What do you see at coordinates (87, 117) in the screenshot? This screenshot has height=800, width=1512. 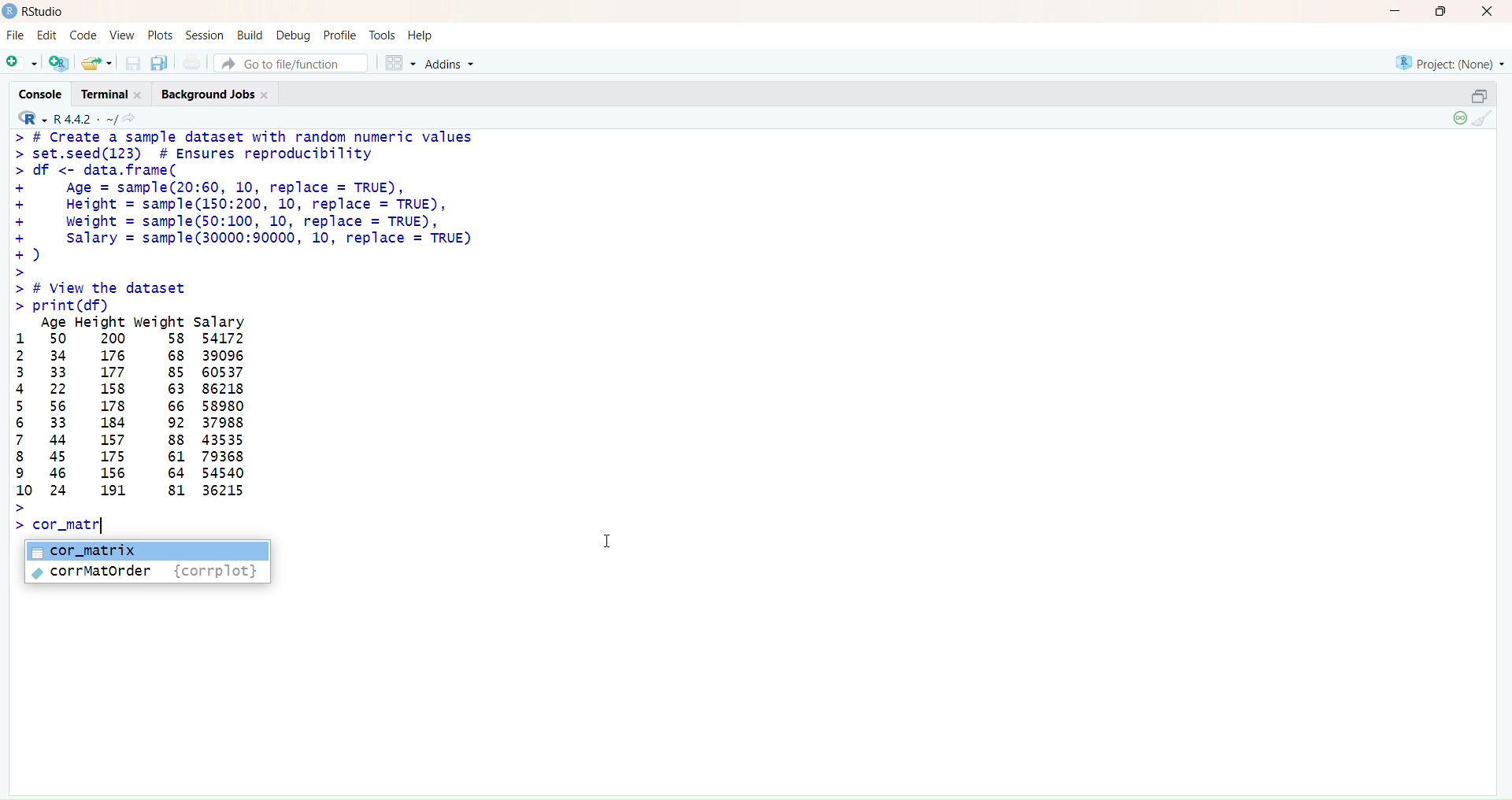 I see `R442/ ~/` at bounding box center [87, 117].